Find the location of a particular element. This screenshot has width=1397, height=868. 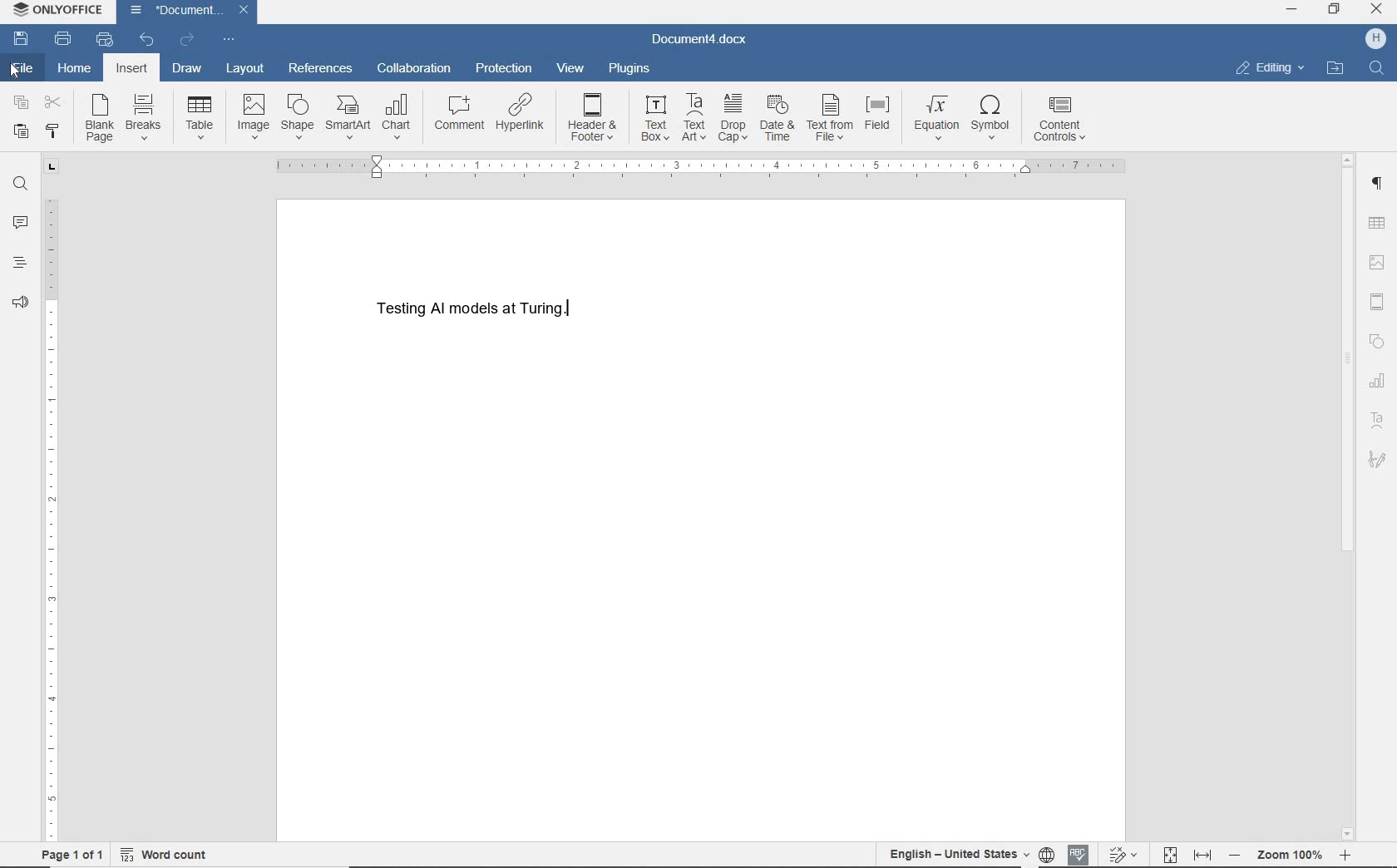

feedback & support is located at coordinates (22, 303).